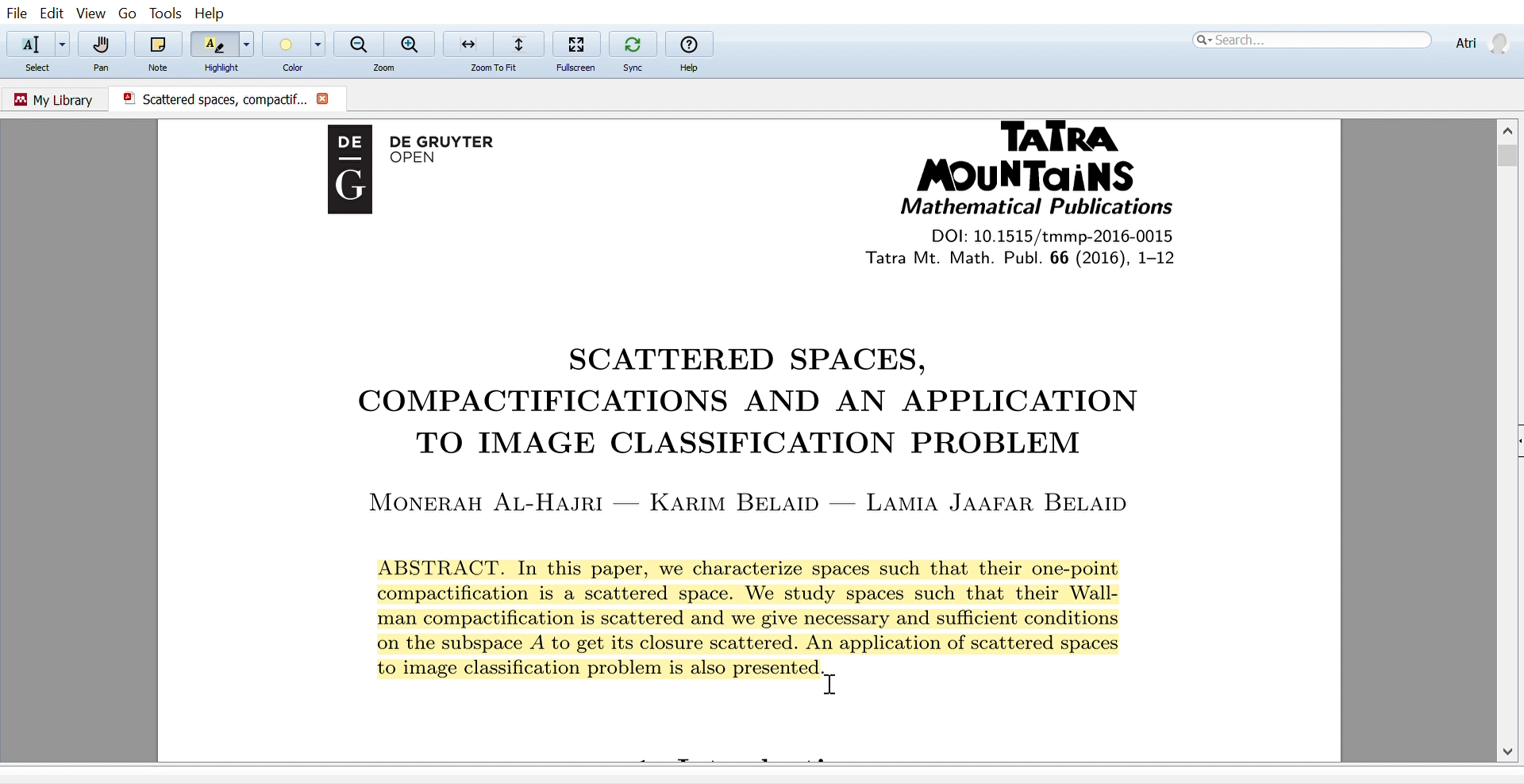 The image size is (1524, 784). I want to click on File, so click(17, 13).